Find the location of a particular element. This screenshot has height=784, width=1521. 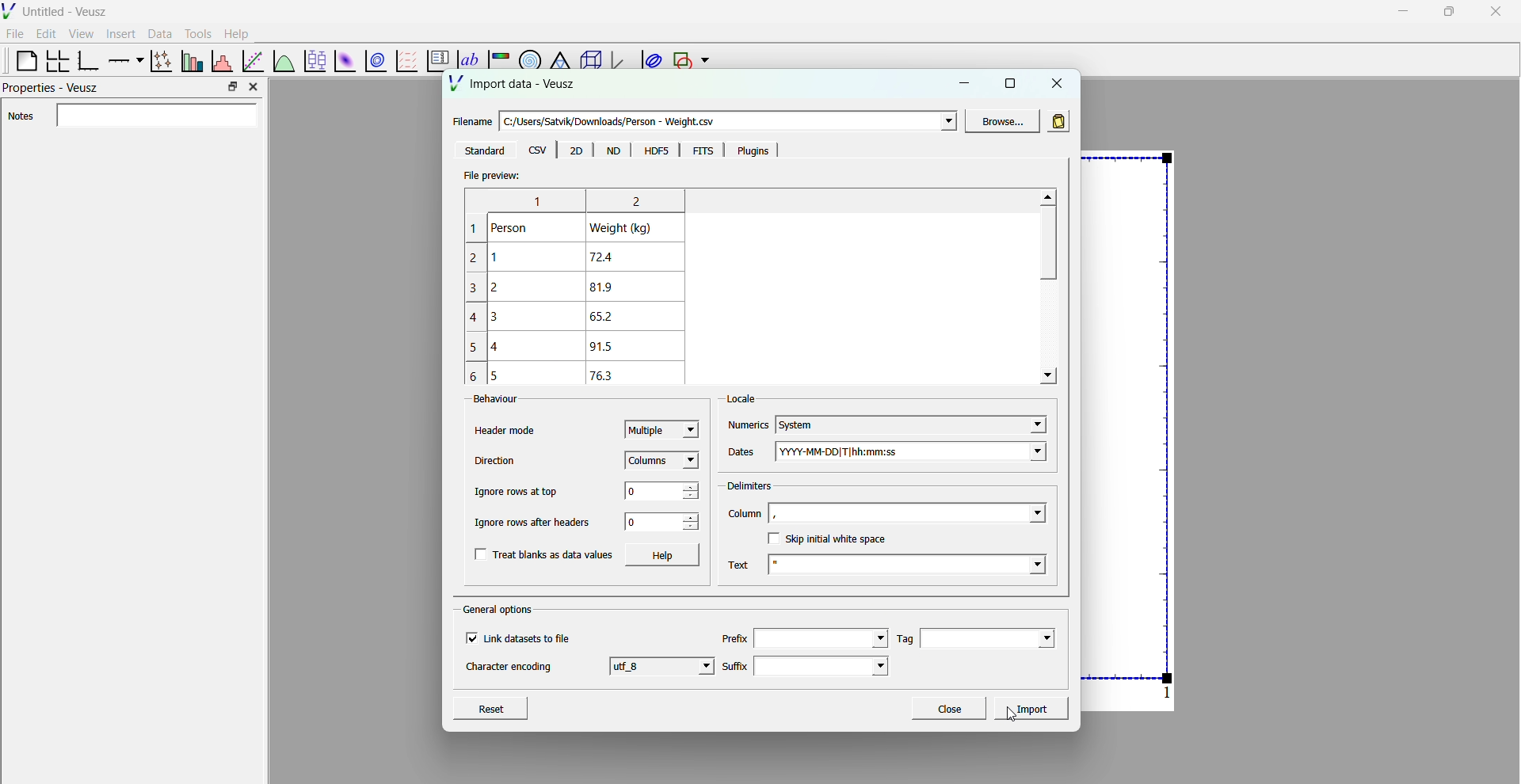

view is located at coordinates (81, 36).